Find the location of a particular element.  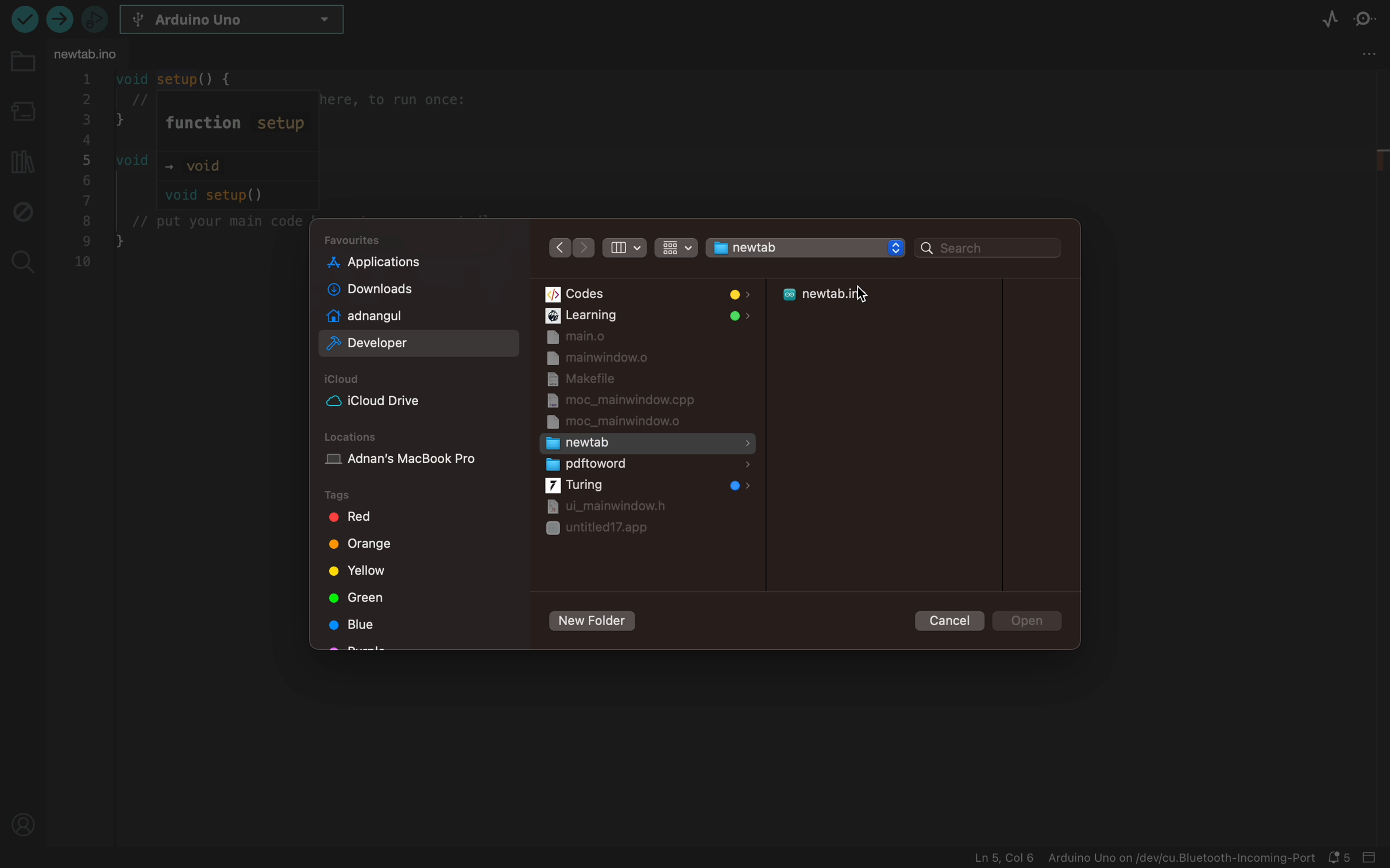

row filter is located at coordinates (674, 246).